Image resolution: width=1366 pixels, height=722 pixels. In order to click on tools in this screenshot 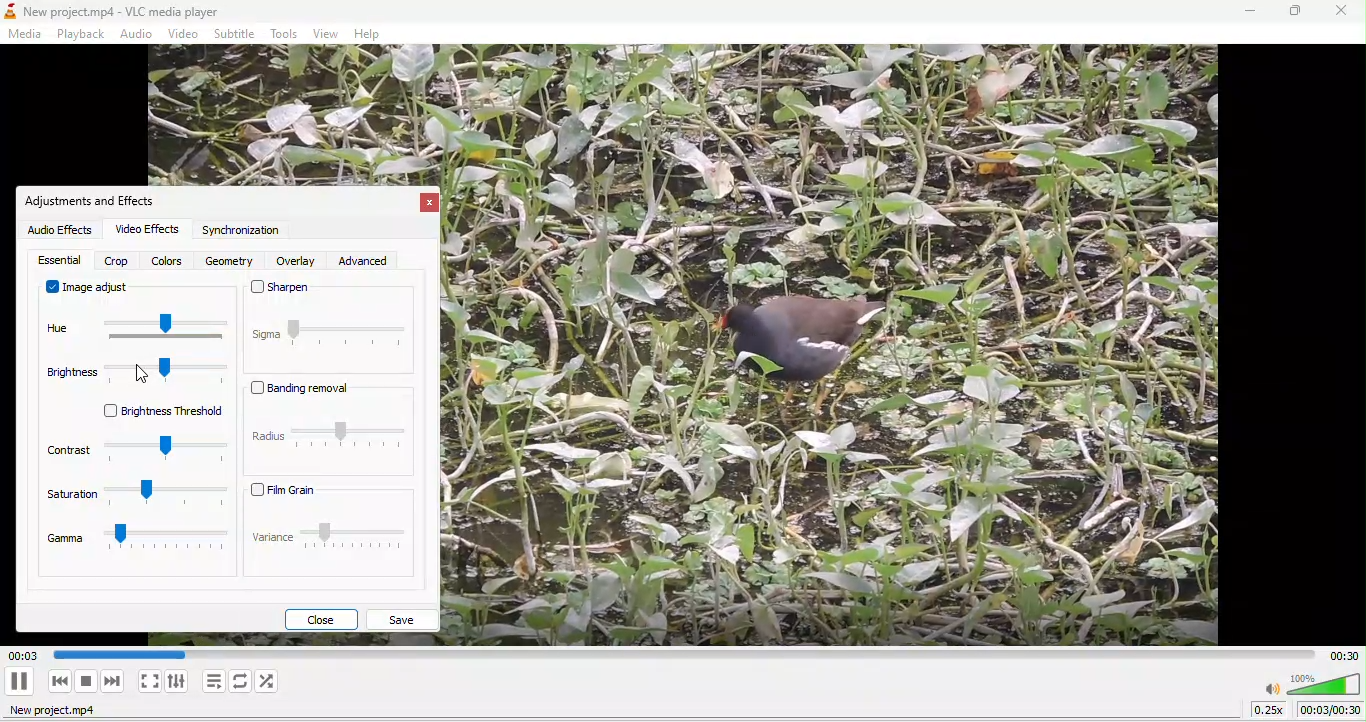, I will do `click(286, 35)`.